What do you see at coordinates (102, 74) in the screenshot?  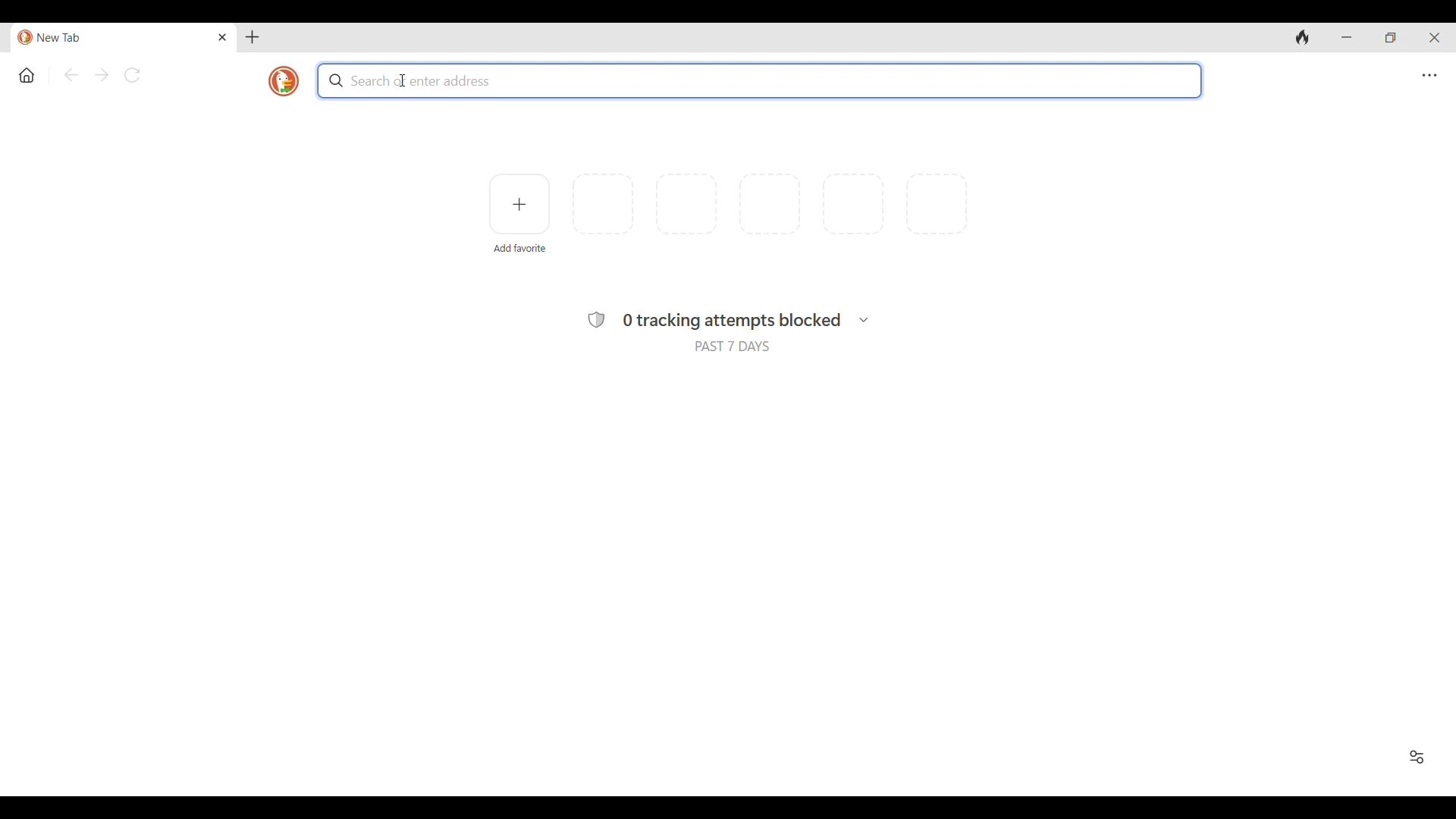 I see `Go forward` at bounding box center [102, 74].